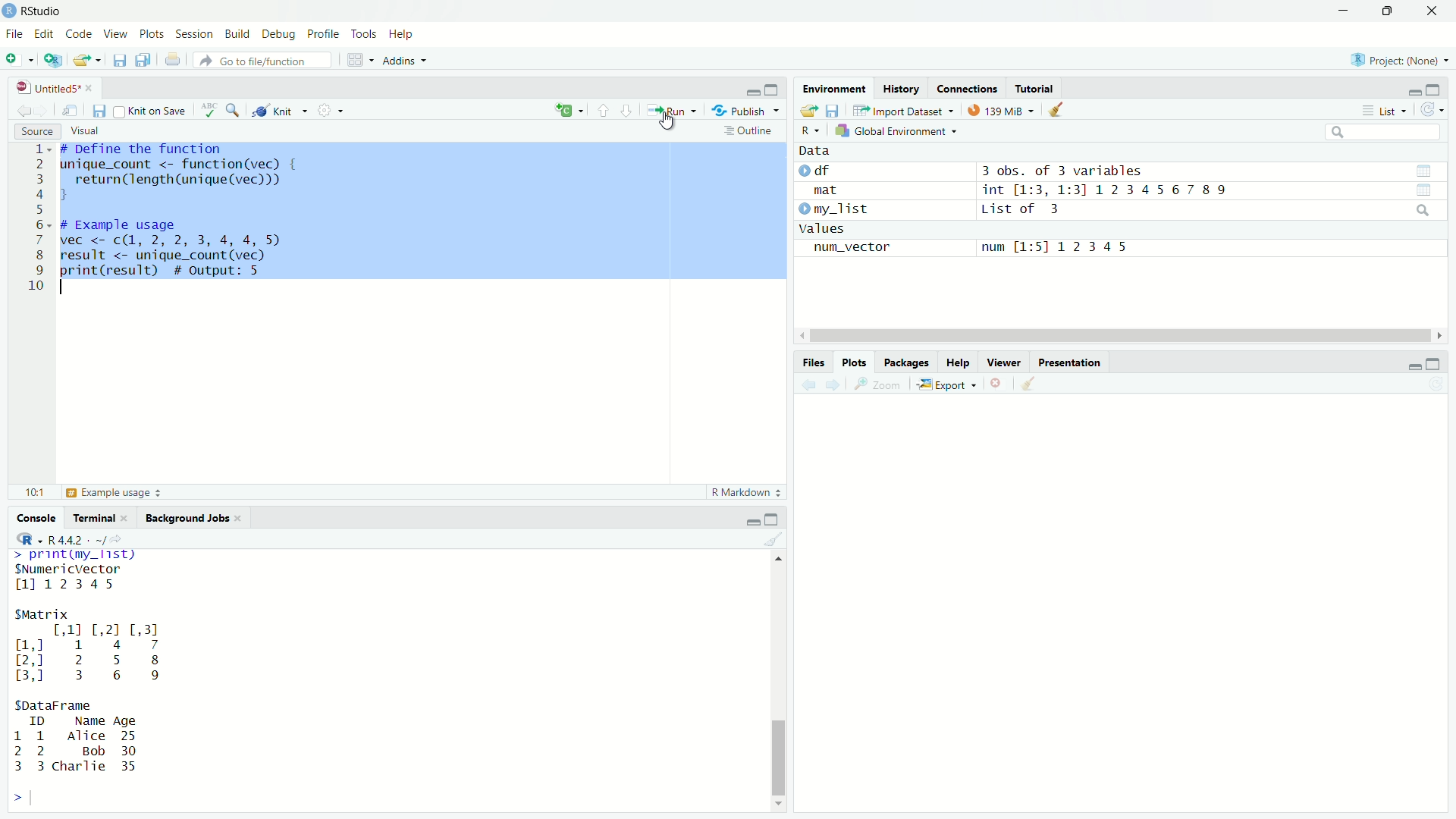  Describe the element at coordinates (280, 34) in the screenshot. I see `Debug` at that location.